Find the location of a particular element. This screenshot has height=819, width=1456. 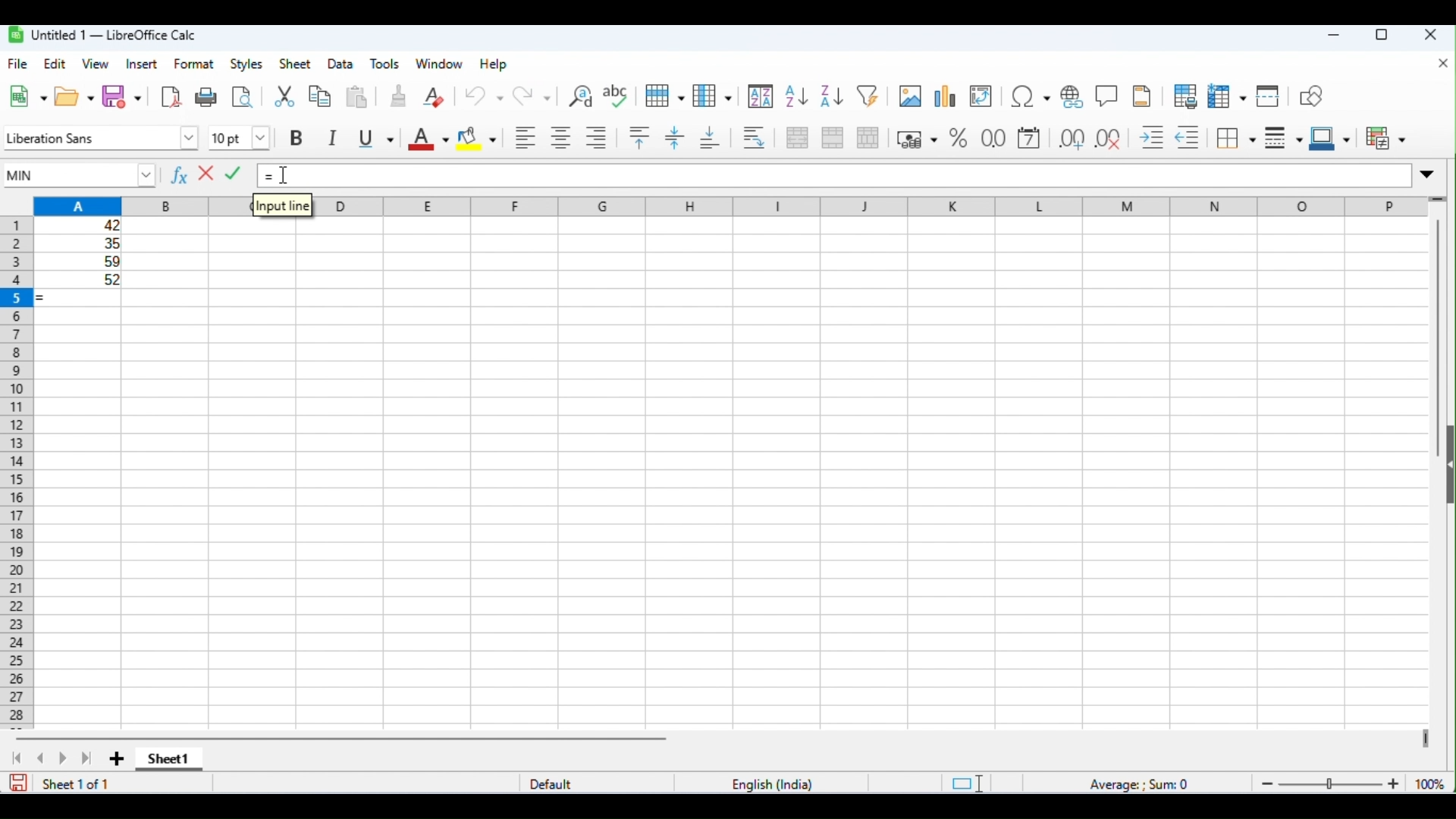

font style is located at coordinates (100, 136).